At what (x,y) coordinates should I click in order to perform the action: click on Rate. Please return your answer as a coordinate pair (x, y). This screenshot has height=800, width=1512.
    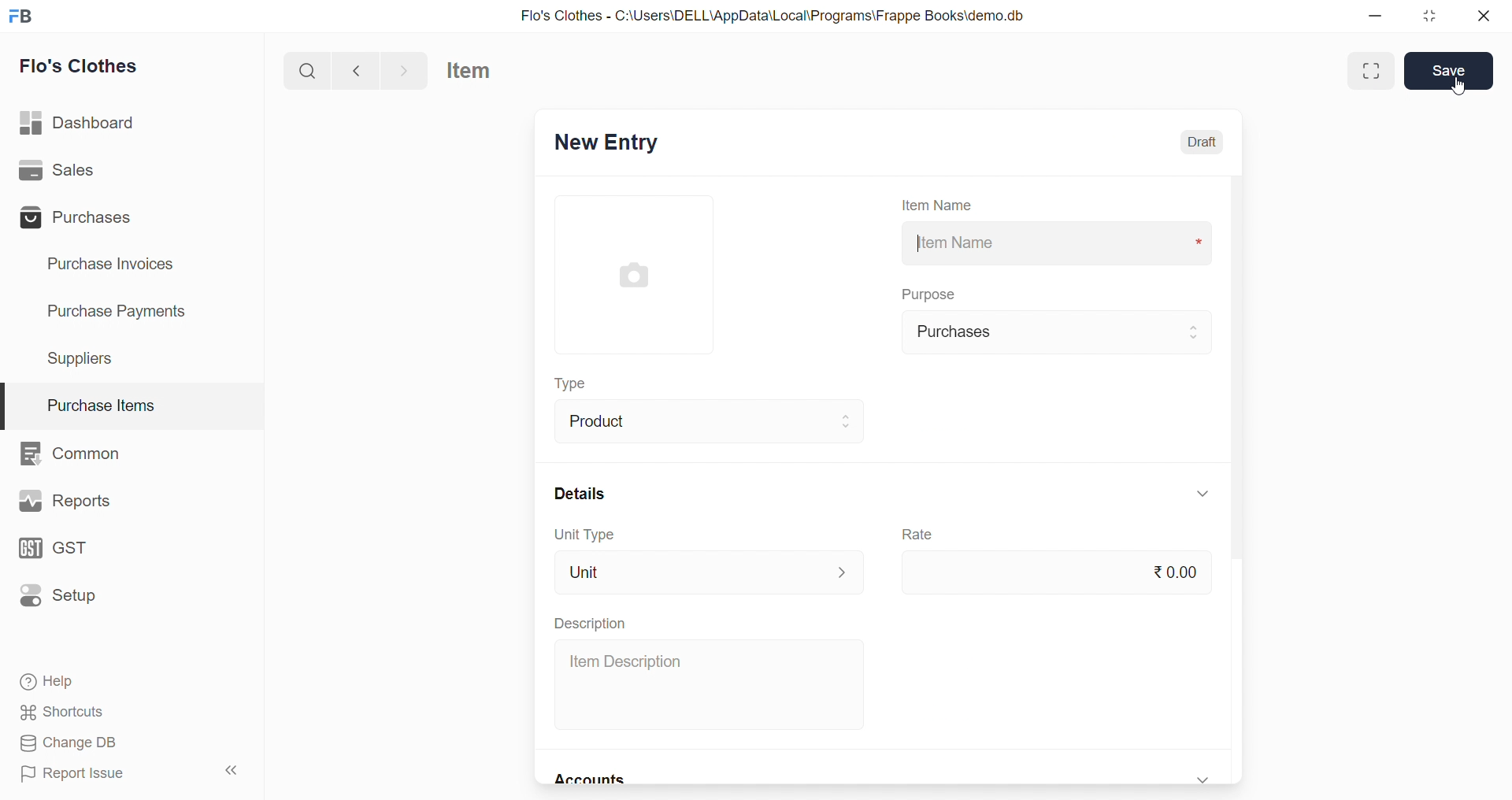
    Looking at the image, I should click on (920, 535).